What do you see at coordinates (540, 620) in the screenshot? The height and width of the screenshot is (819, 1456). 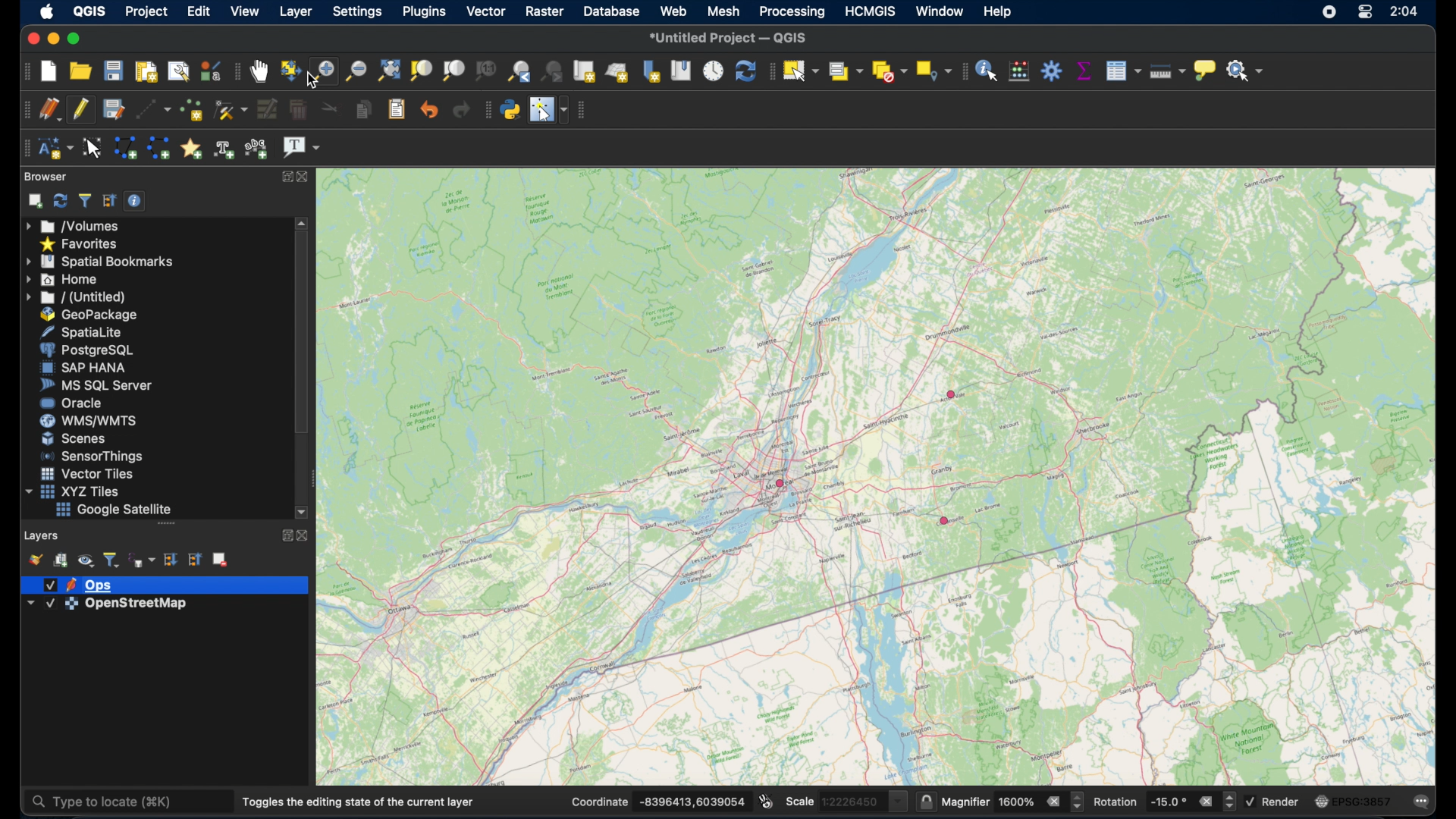 I see `open street map` at bounding box center [540, 620].